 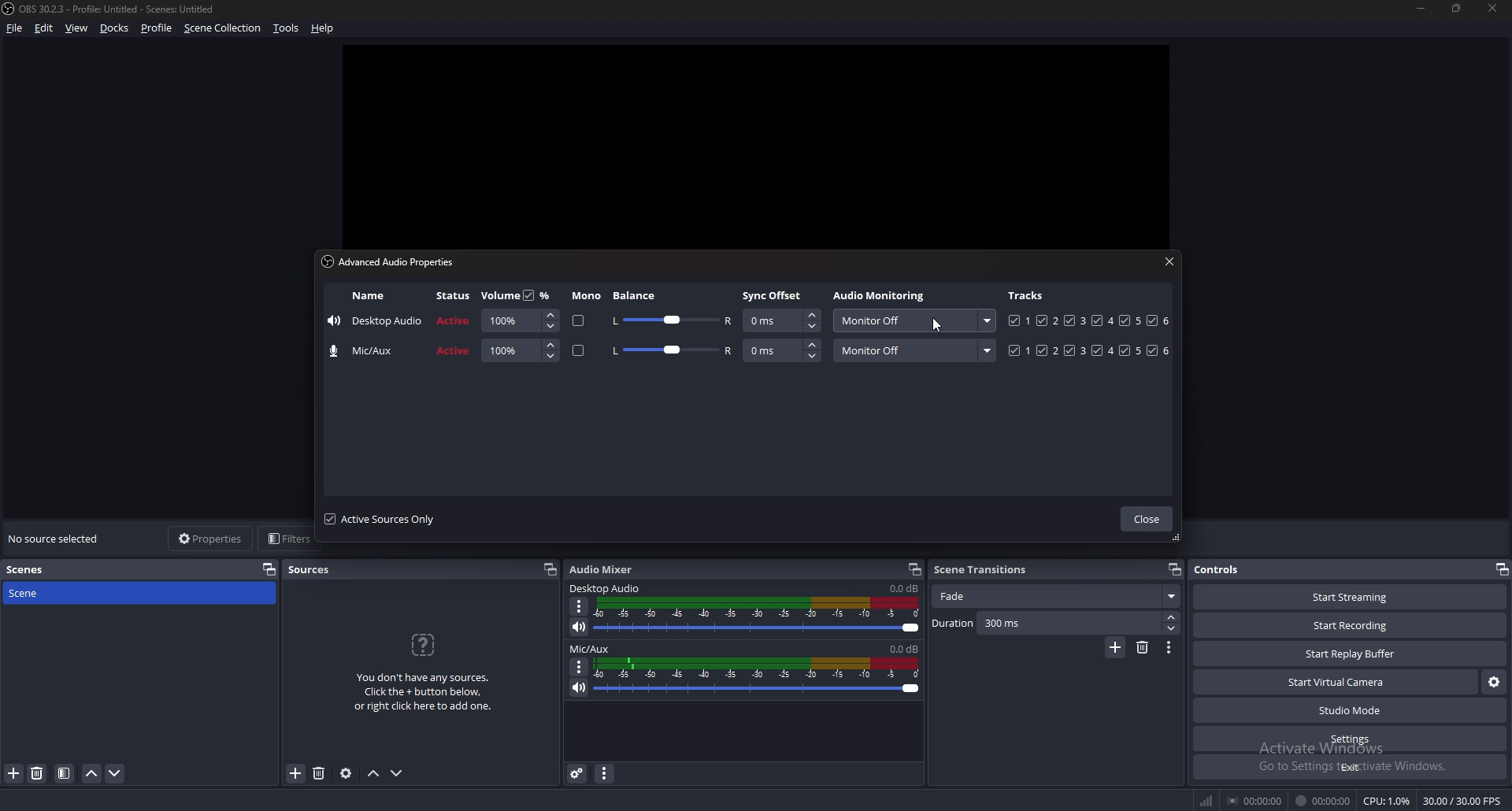 I want to click on popout, so click(x=915, y=569).